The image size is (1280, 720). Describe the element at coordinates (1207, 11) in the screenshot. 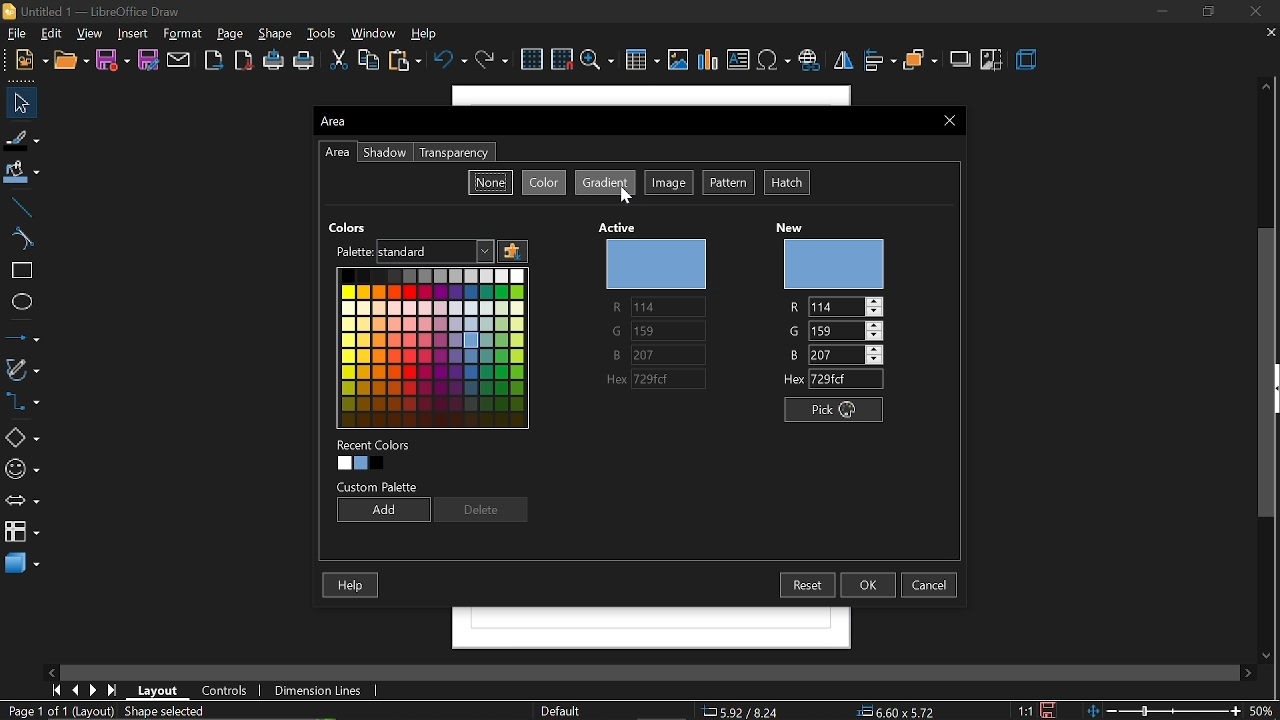

I see `restore down` at that location.